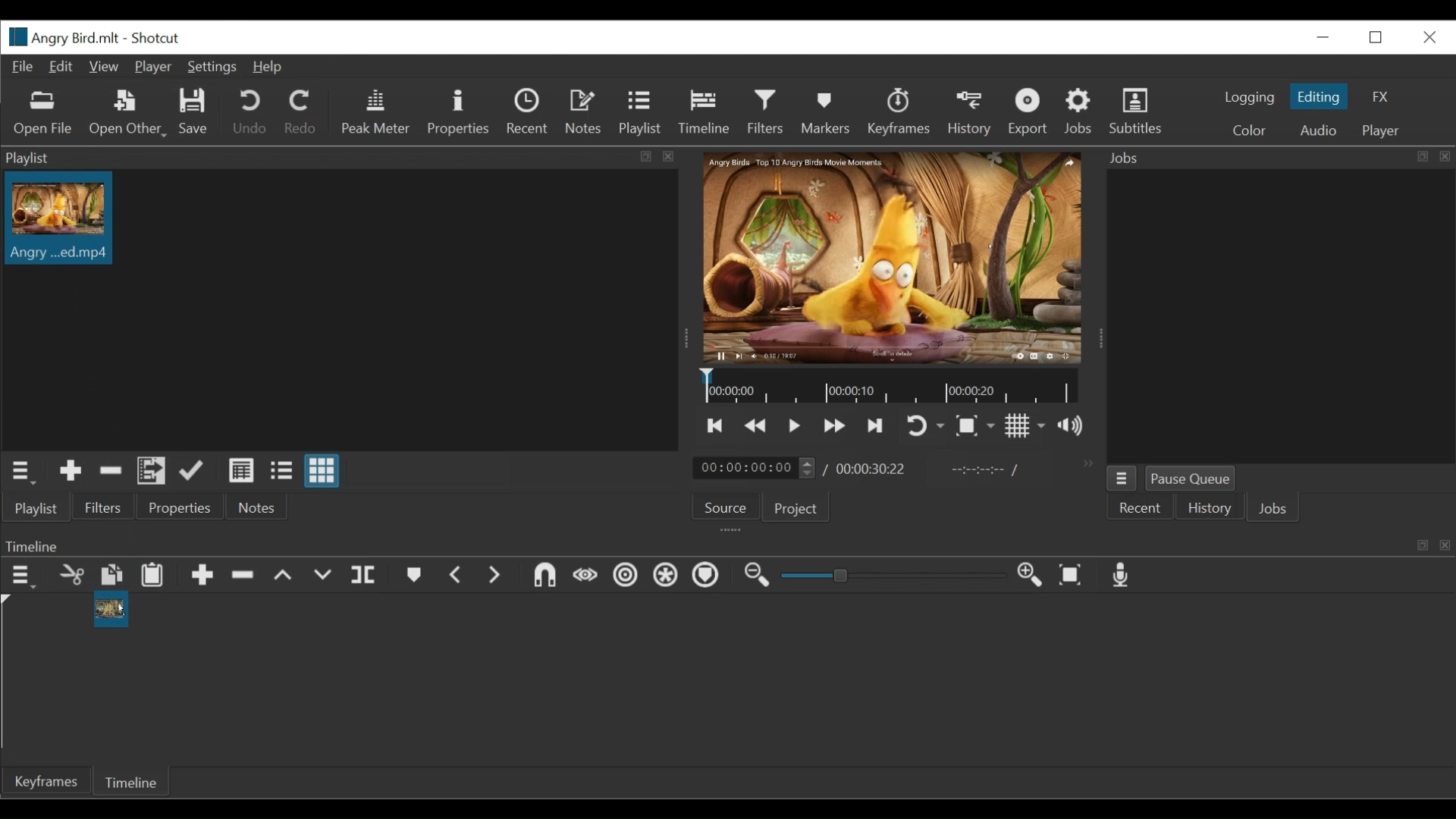 Image resolution: width=1456 pixels, height=819 pixels. Describe the element at coordinates (192, 111) in the screenshot. I see `Save` at that location.